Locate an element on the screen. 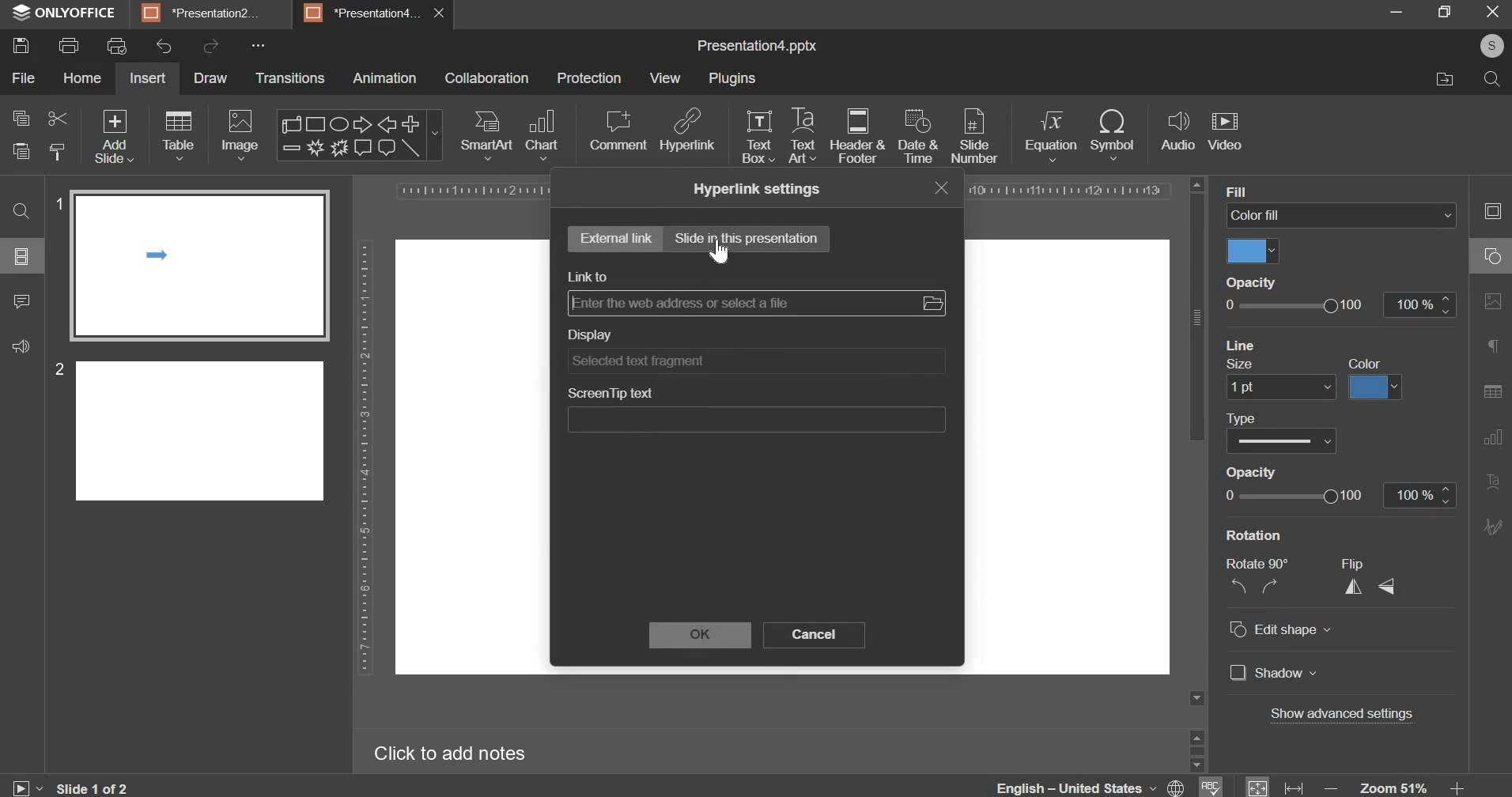 The height and width of the screenshot is (797, 1512). Hyperlink settings is located at coordinates (768, 189).